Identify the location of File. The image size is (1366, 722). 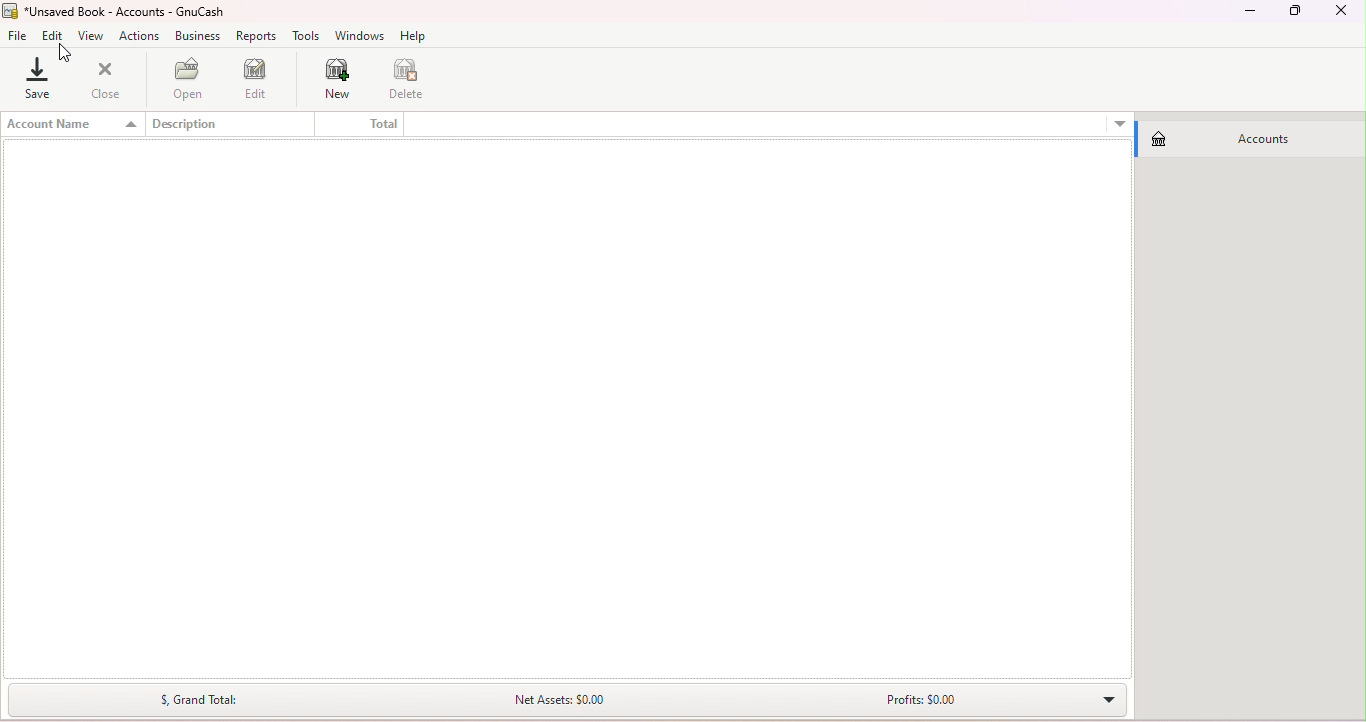
(17, 35).